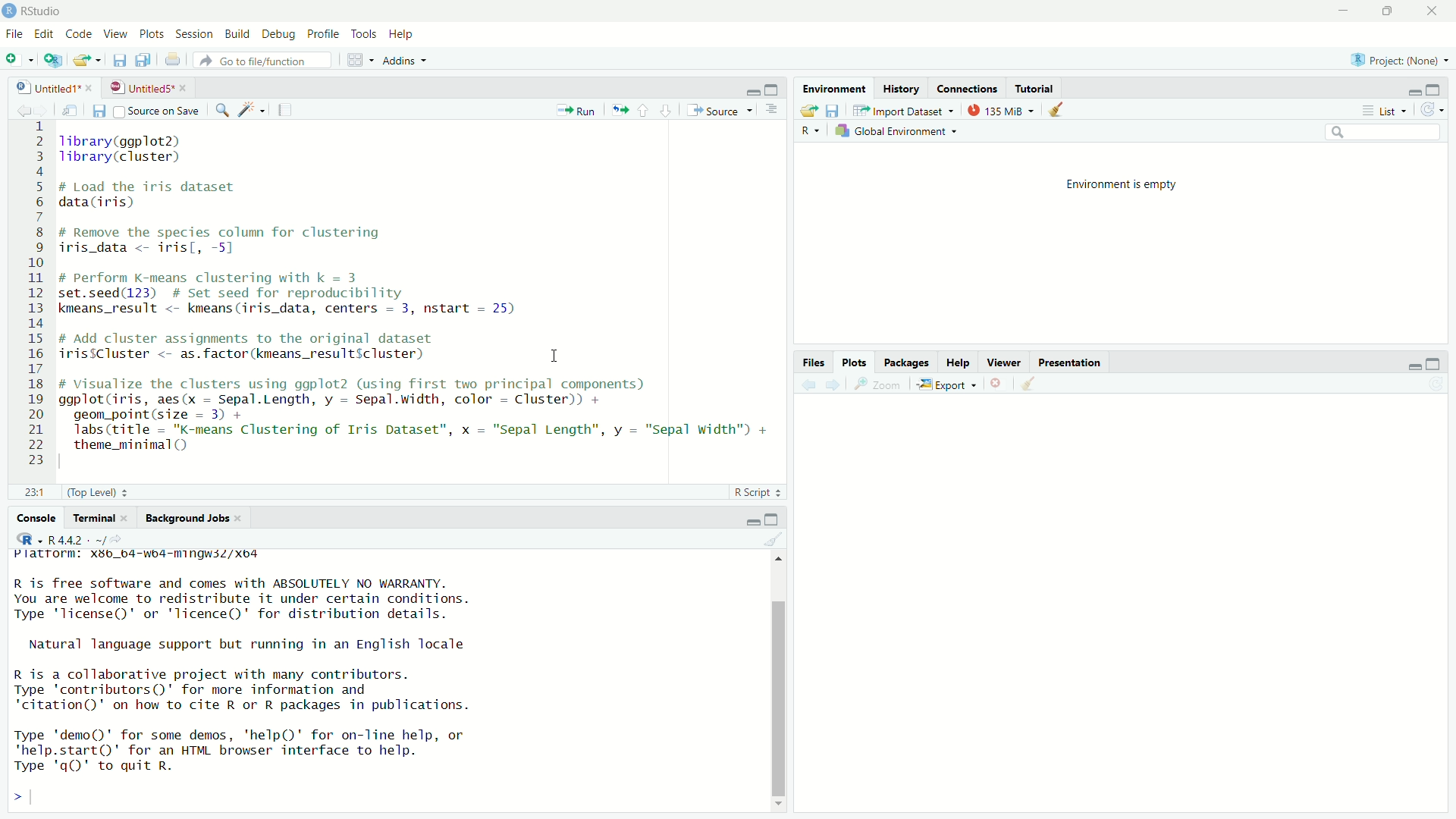  Describe the element at coordinates (130, 519) in the screenshot. I see `close` at that location.